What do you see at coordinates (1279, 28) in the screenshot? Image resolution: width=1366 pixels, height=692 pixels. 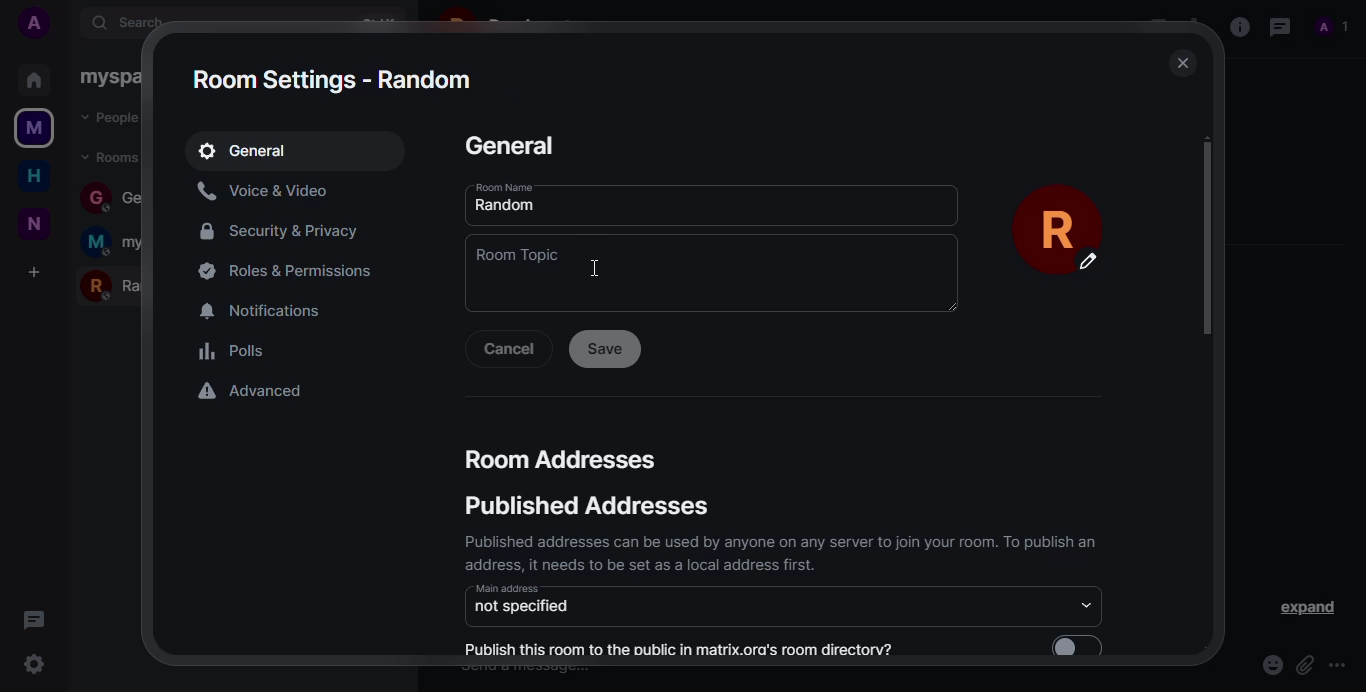 I see `threads` at bounding box center [1279, 28].